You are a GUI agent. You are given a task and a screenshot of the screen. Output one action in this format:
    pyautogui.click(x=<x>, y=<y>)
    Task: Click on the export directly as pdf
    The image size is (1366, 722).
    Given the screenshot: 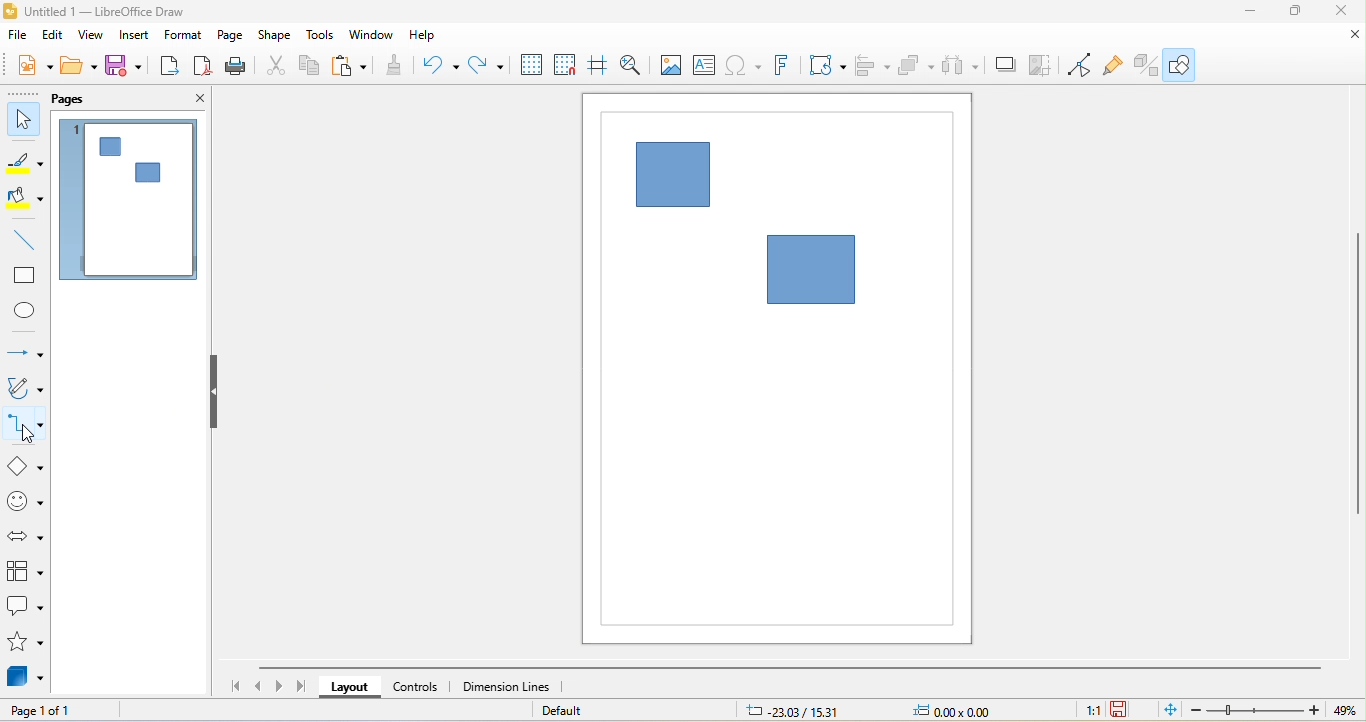 What is the action you would take?
    pyautogui.click(x=206, y=66)
    